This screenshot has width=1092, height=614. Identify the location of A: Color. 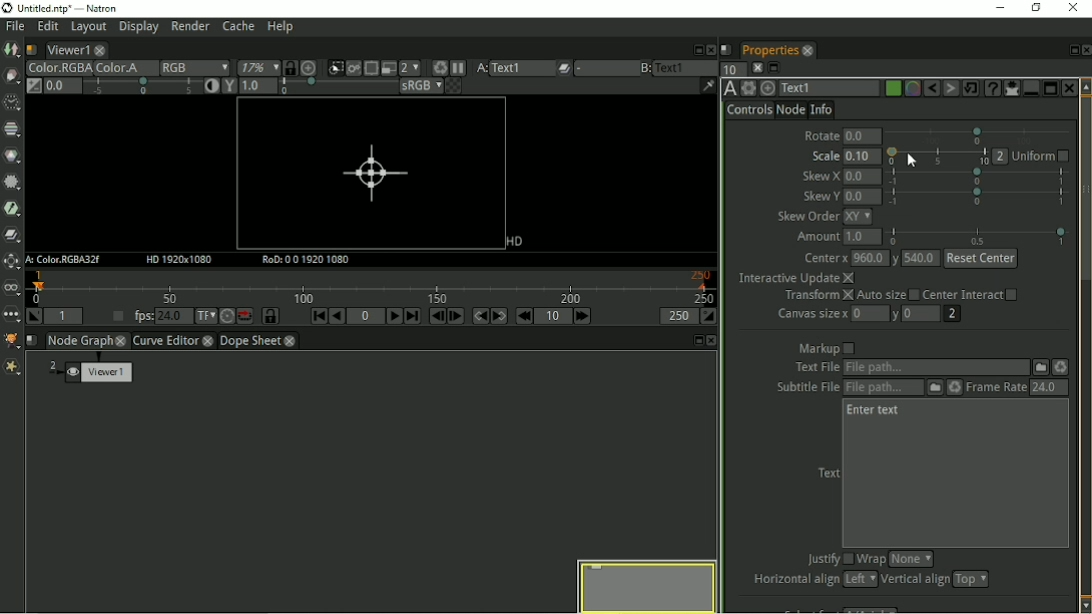
(65, 259).